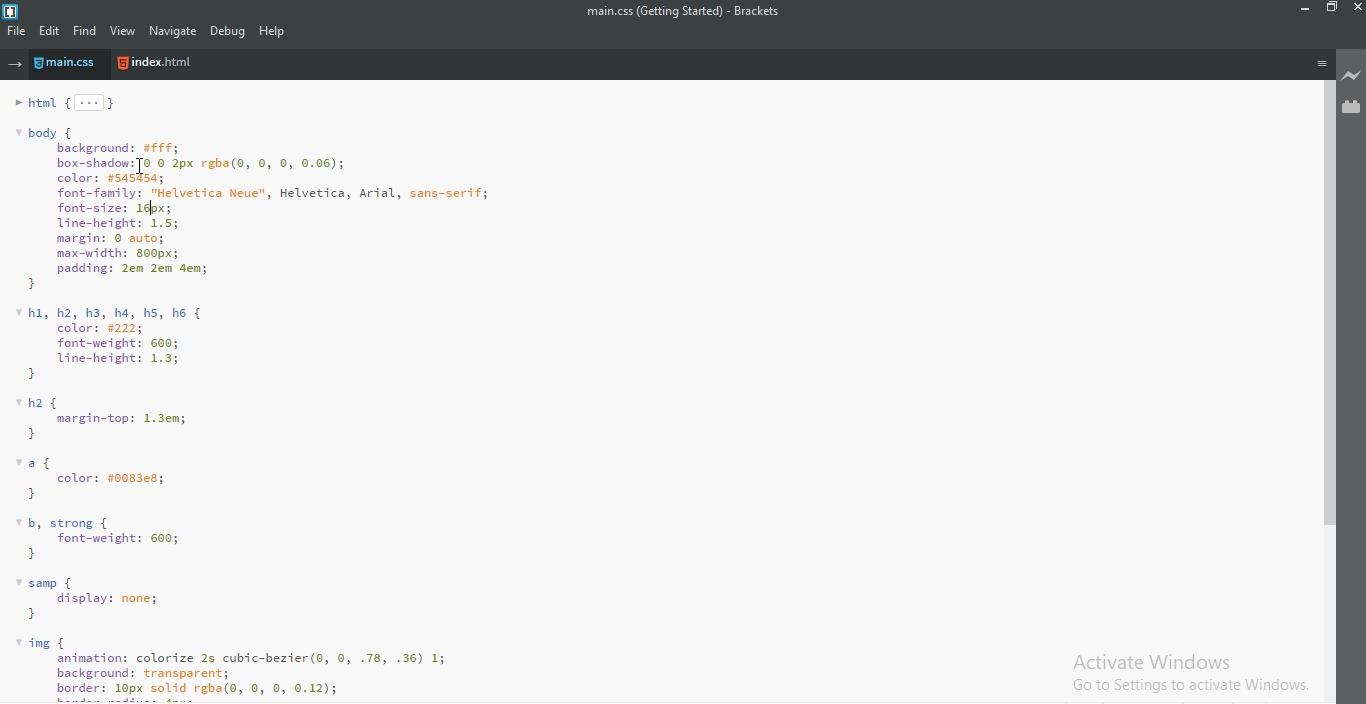  Describe the element at coordinates (124, 32) in the screenshot. I see `view` at that location.